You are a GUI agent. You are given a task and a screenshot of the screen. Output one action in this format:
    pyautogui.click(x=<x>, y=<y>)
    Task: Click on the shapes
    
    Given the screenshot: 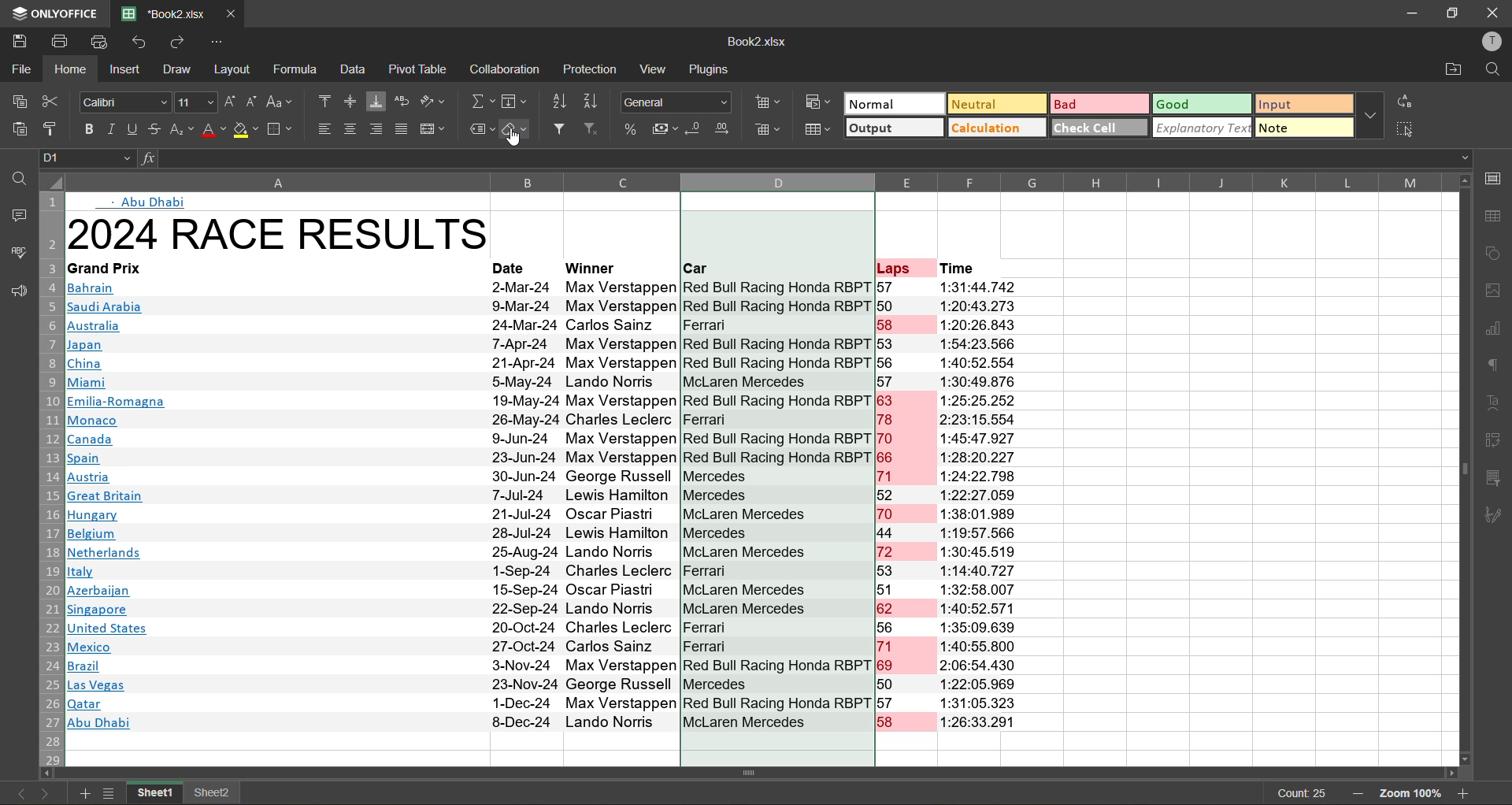 What is the action you would take?
    pyautogui.click(x=1497, y=255)
    